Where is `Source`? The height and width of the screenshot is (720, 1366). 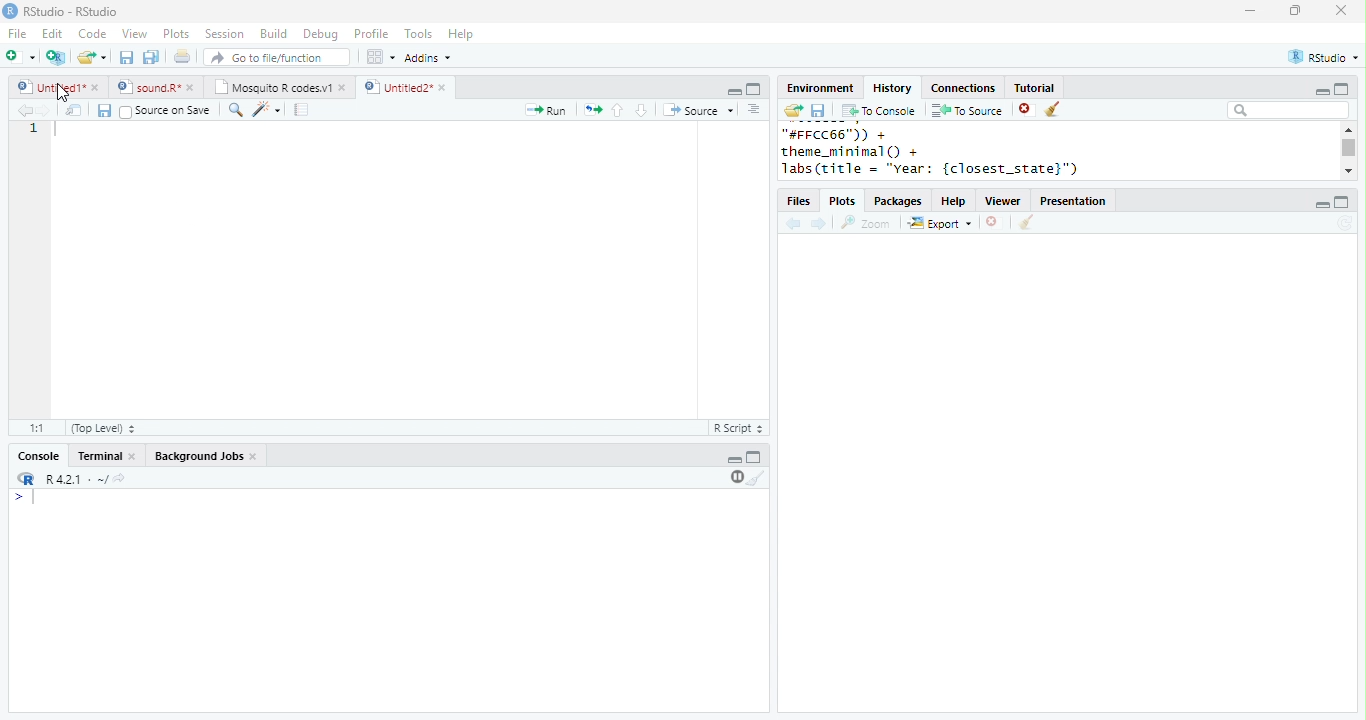
Source is located at coordinates (698, 109).